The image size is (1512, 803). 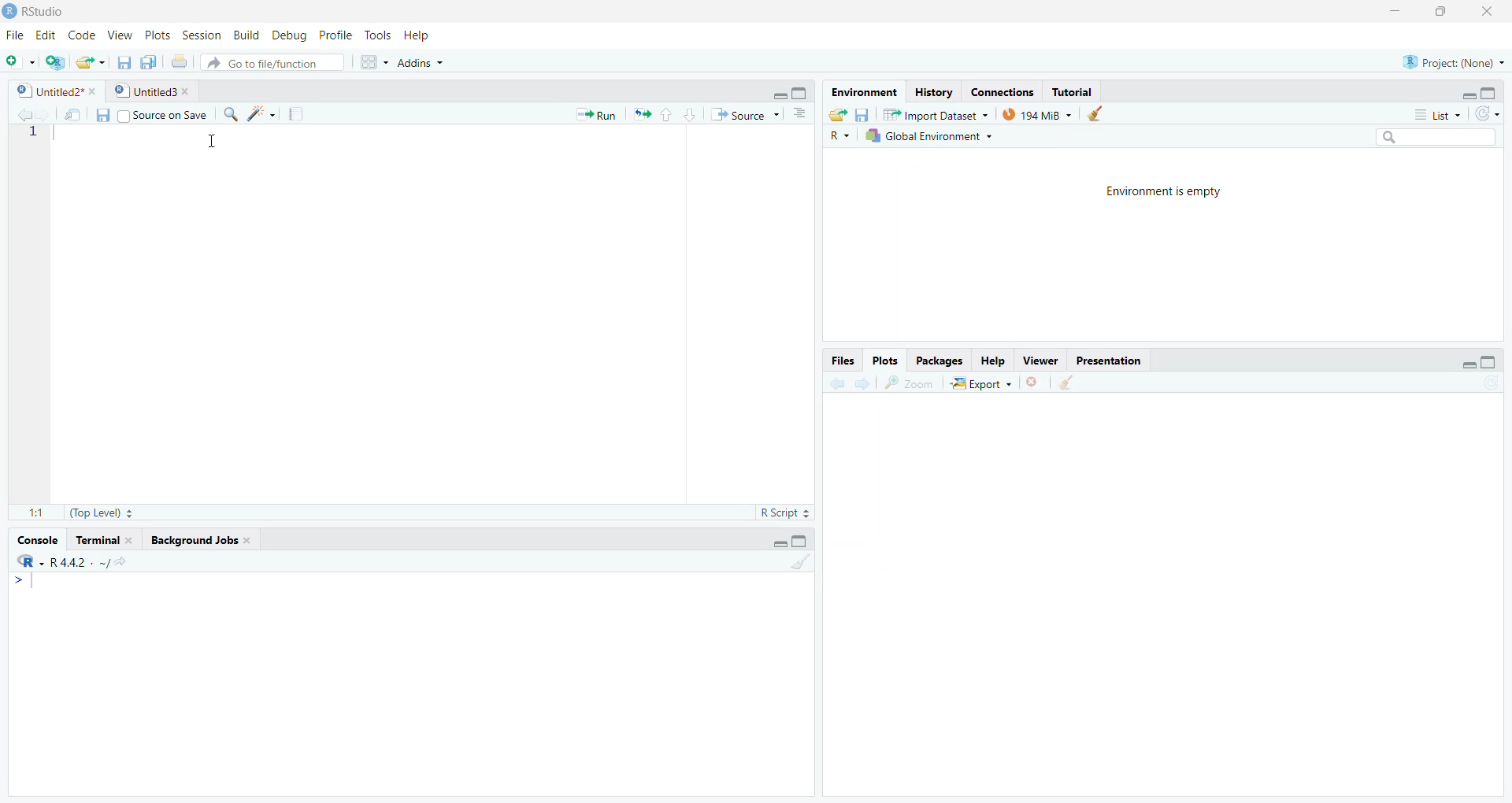 I want to click on Help, so click(x=991, y=362).